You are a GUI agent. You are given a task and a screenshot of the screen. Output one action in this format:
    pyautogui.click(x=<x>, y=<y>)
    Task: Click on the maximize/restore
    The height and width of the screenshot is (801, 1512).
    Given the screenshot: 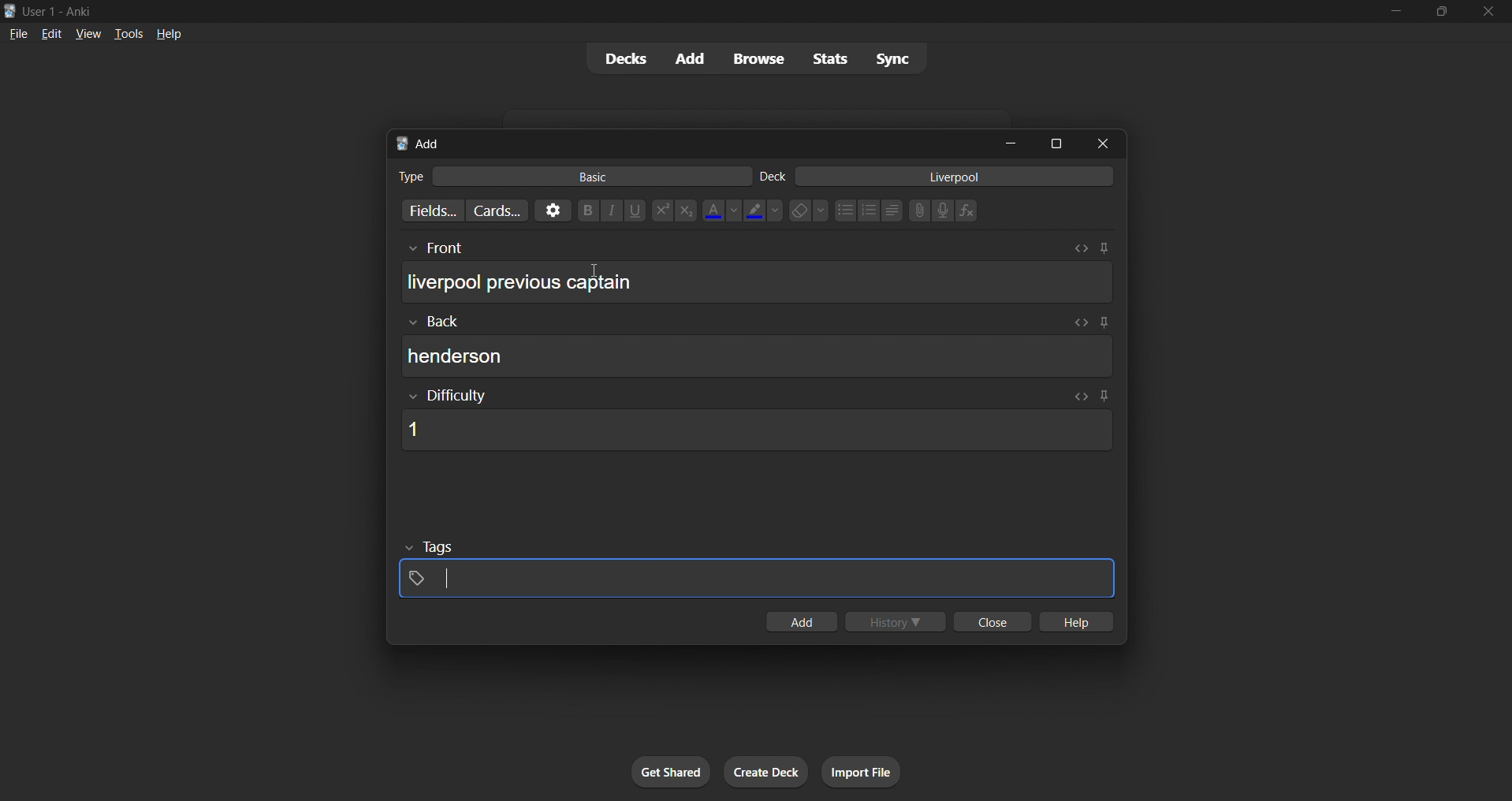 What is the action you would take?
    pyautogui.click(x=1442, y=12)
    